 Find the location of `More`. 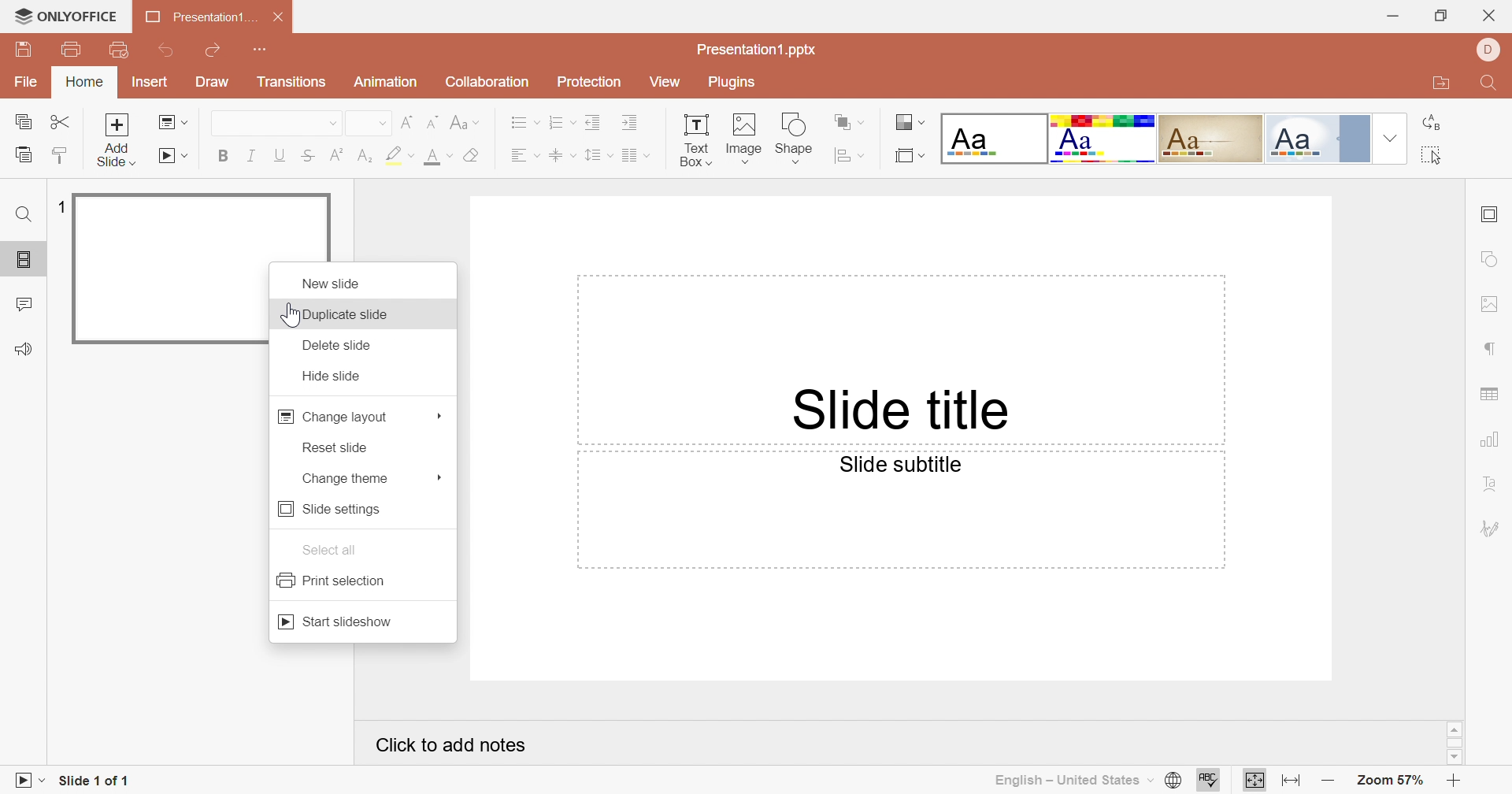

More is located at coordinates (439, 417).